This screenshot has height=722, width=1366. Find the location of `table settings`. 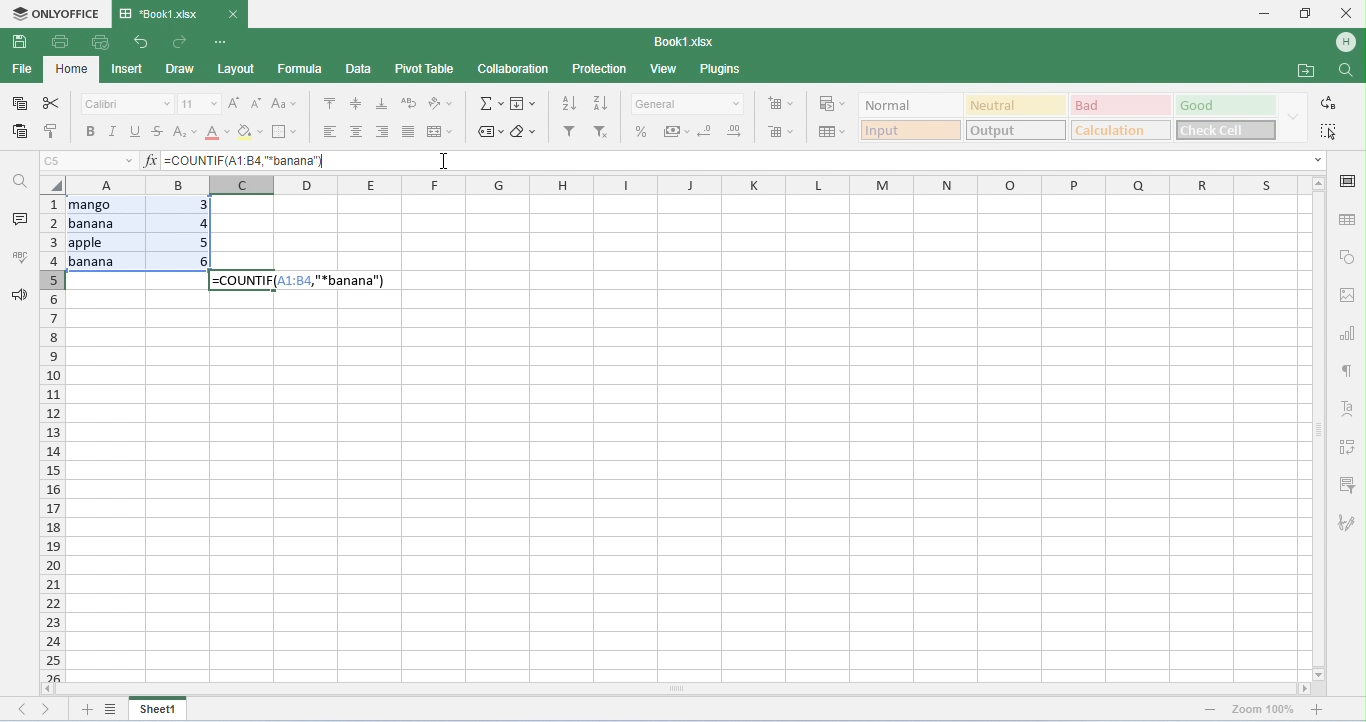

table settings is located at coordinates (1347, 219).